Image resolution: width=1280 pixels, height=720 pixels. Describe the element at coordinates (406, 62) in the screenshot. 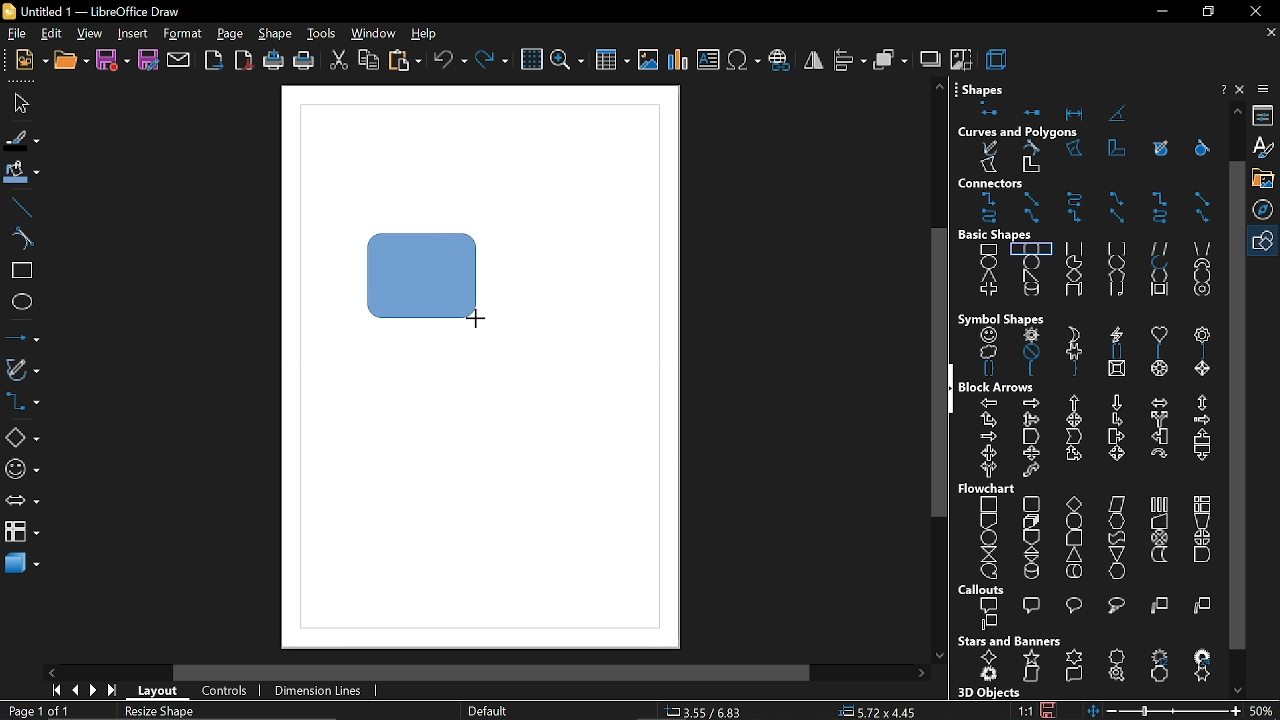

I see `paste` at that location.